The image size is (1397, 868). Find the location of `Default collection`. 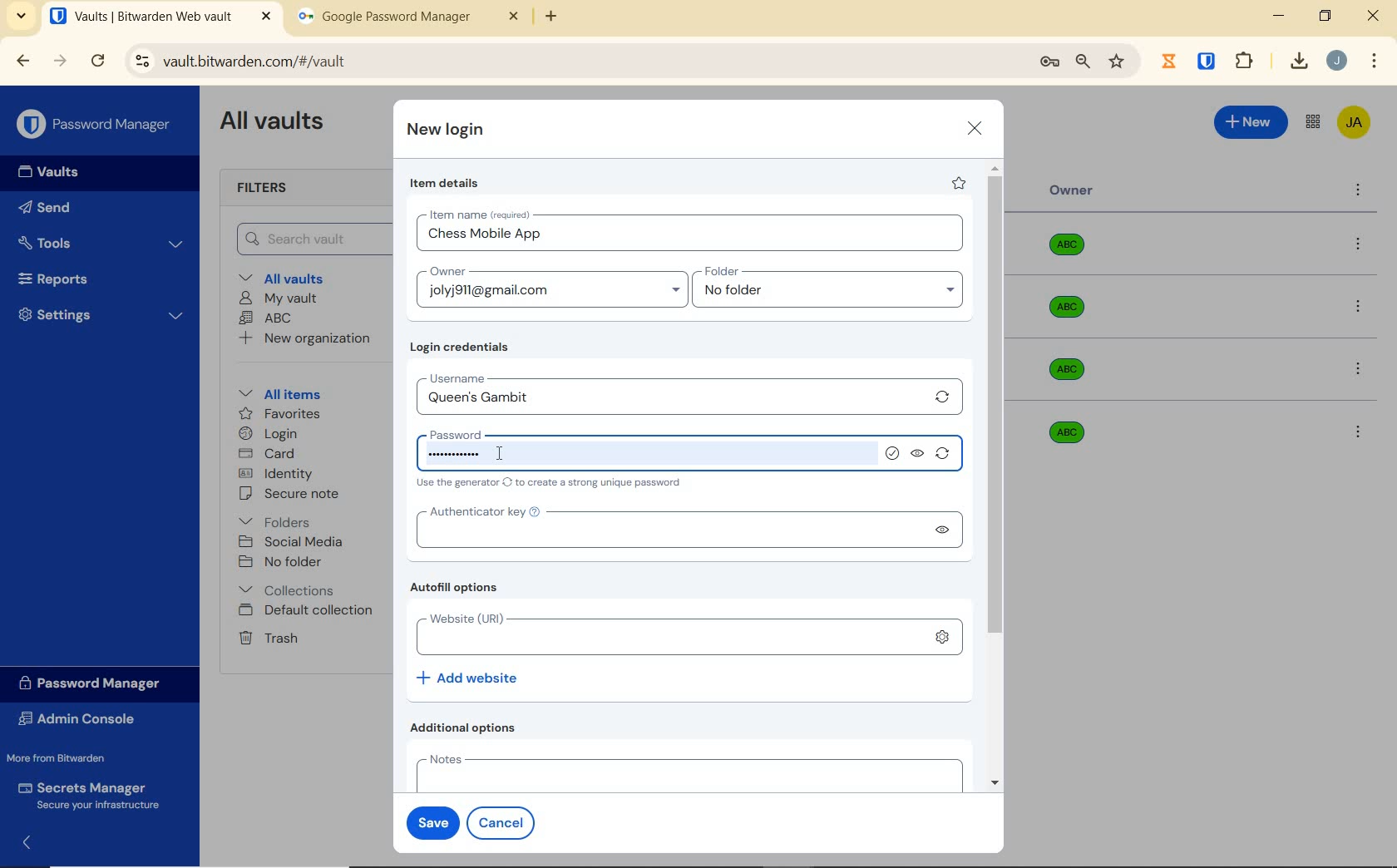

Default collection is located at coordinates (309, 611).